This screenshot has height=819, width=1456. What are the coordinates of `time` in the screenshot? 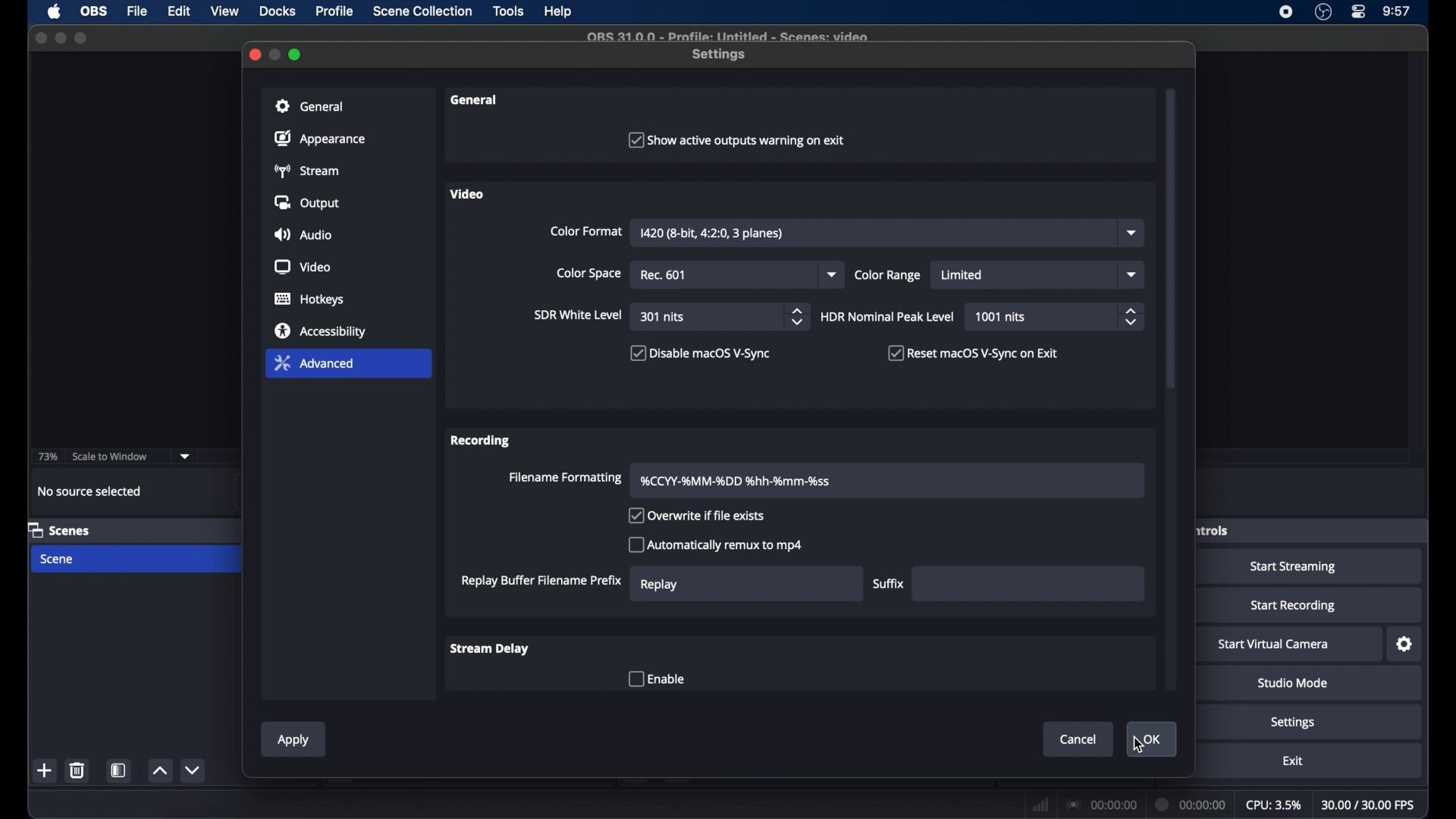 It's located at (1398, 11).